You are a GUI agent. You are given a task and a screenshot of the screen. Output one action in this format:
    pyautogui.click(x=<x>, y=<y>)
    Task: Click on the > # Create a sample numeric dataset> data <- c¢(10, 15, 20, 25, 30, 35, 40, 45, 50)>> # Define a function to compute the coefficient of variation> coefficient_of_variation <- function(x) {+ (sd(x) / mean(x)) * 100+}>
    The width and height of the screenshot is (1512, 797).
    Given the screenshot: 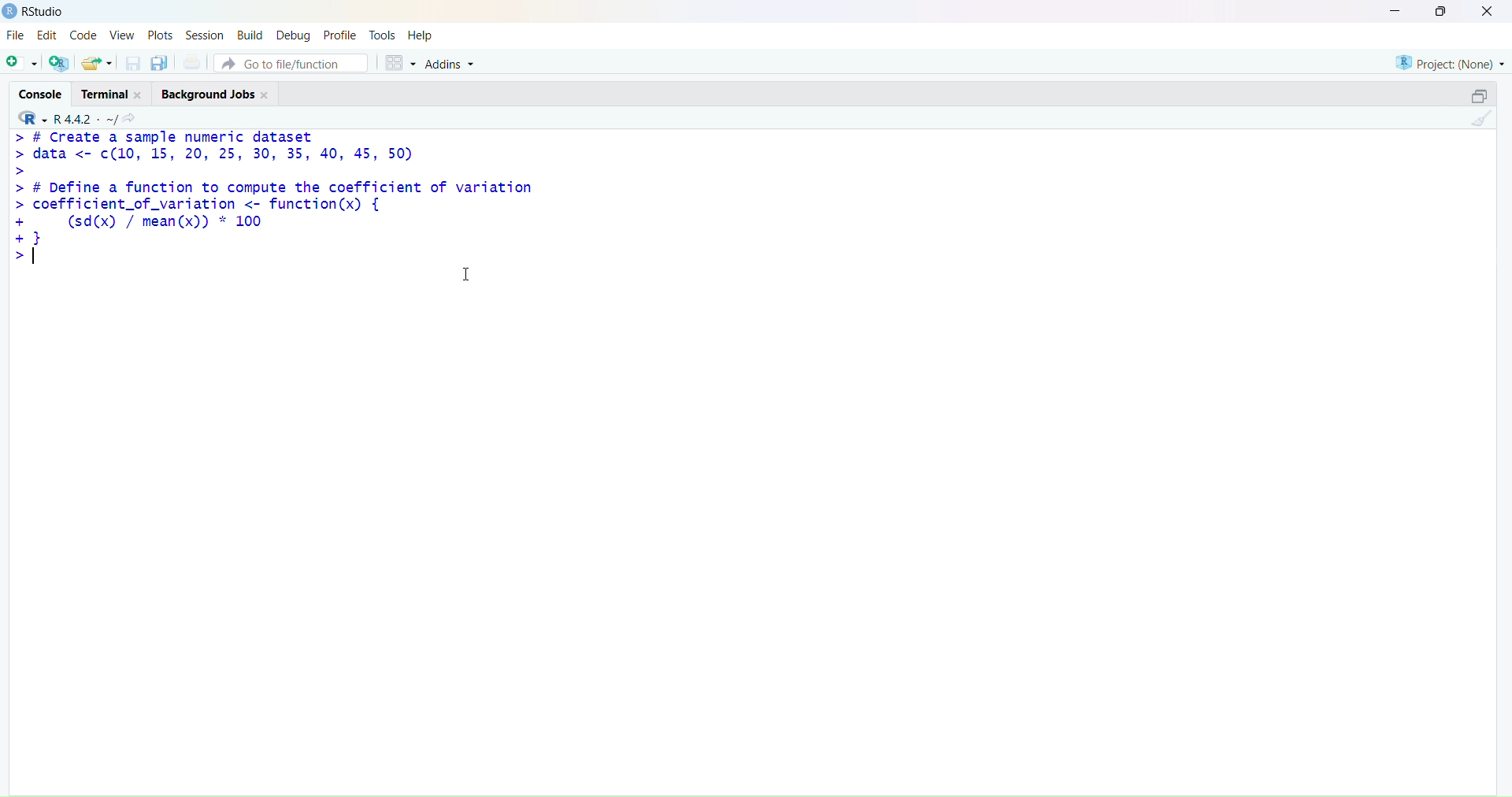 What is the action you would take?
    pyautogui.click(x=277, y=198)
    